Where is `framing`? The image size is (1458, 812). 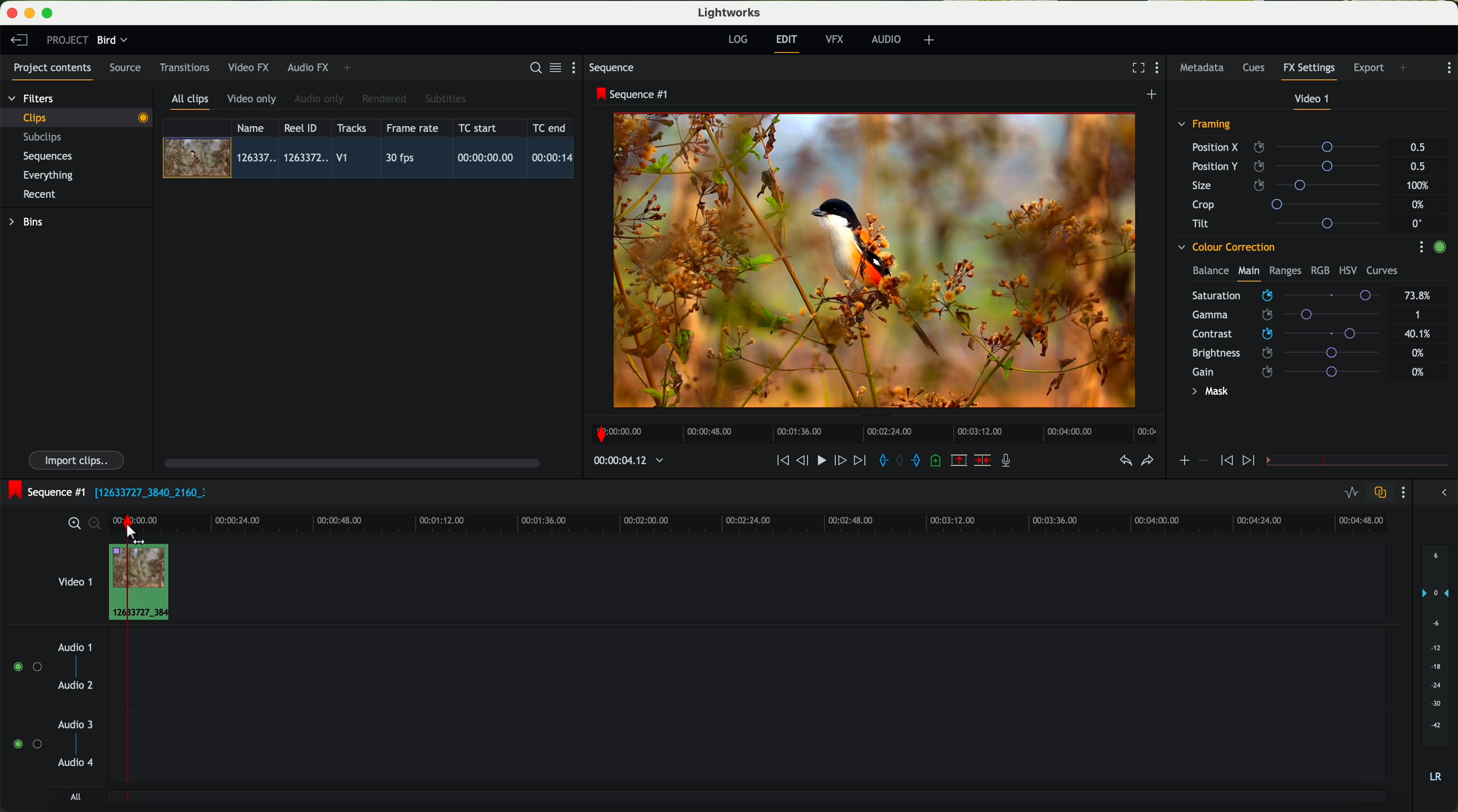
framing is located at coordinates (1205, 126).